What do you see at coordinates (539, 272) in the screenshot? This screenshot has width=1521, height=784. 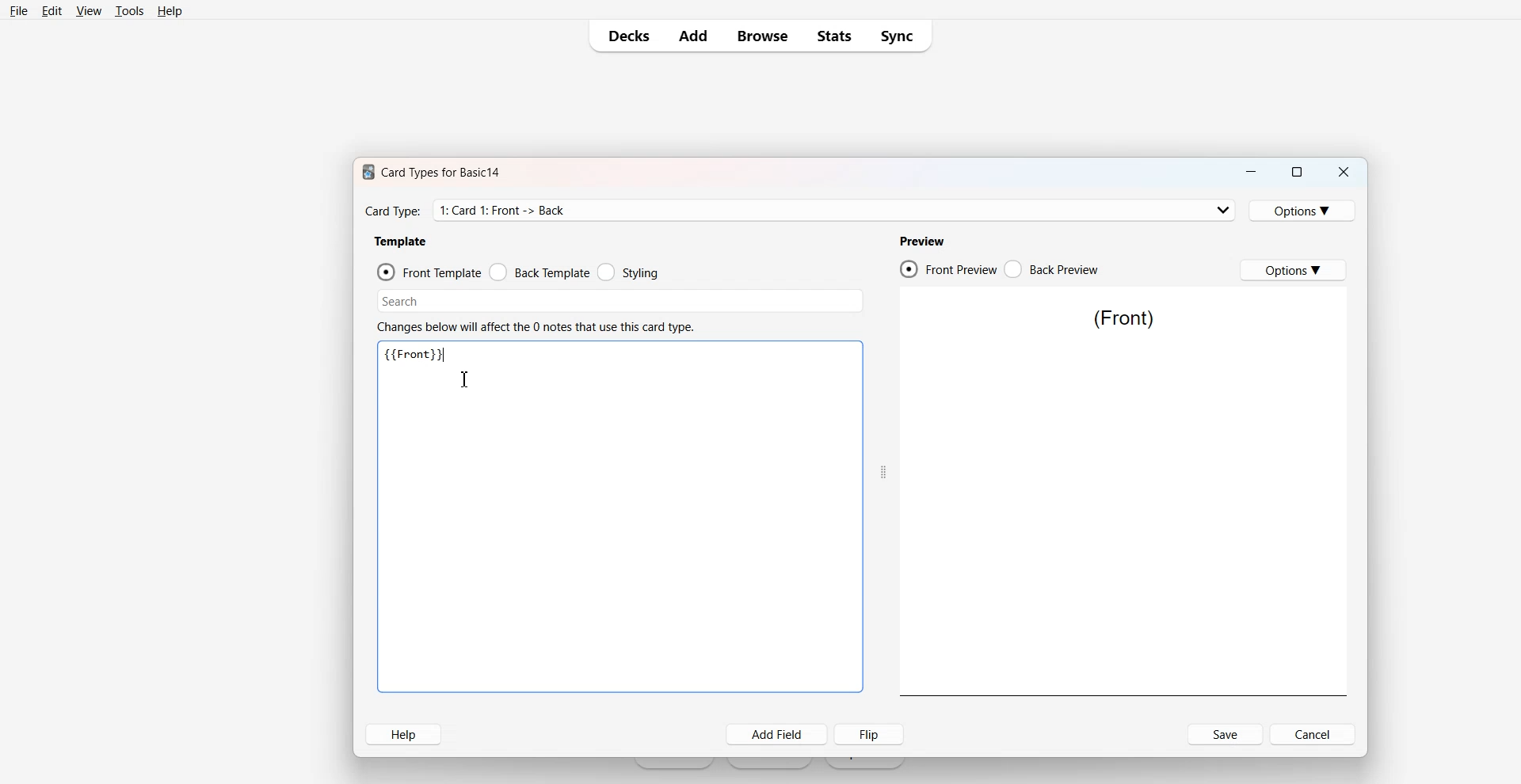 I see `Back Template` at bounding box center [539, 272].